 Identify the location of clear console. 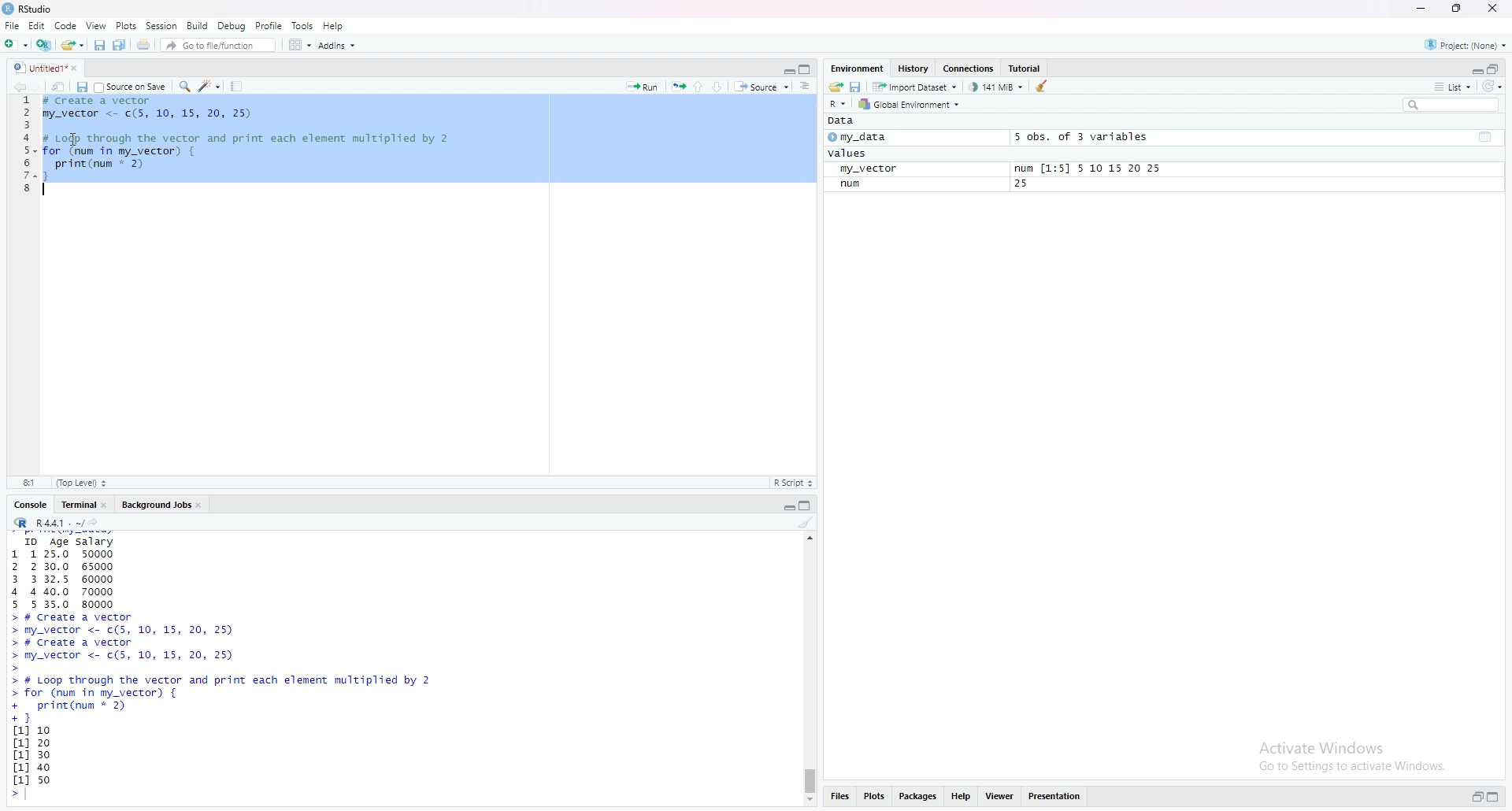
(806, 523).